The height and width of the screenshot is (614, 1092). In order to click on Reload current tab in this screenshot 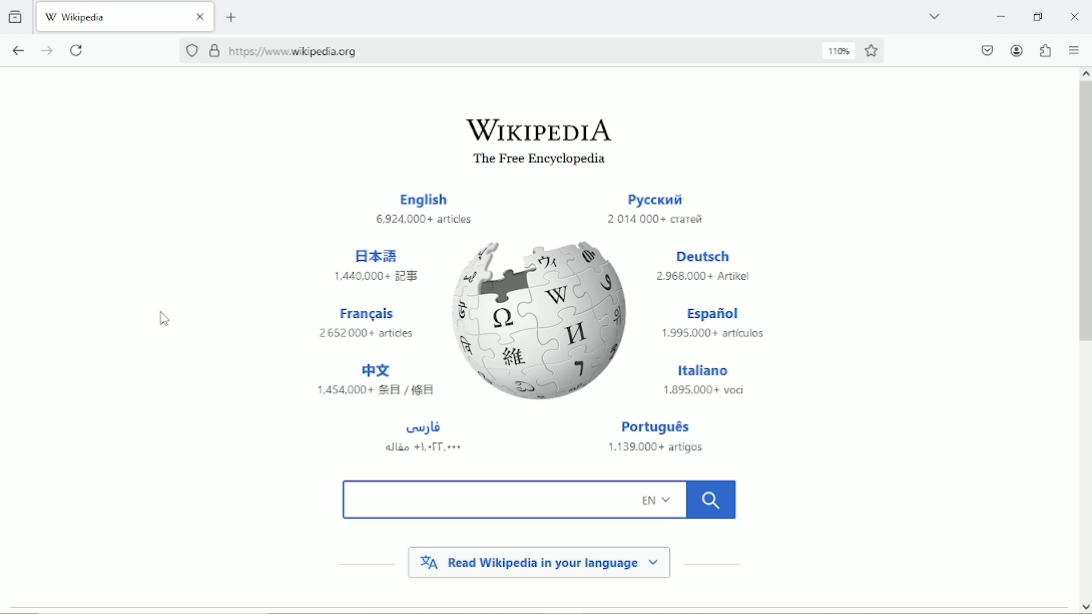, I will do `click(77, 50)`.